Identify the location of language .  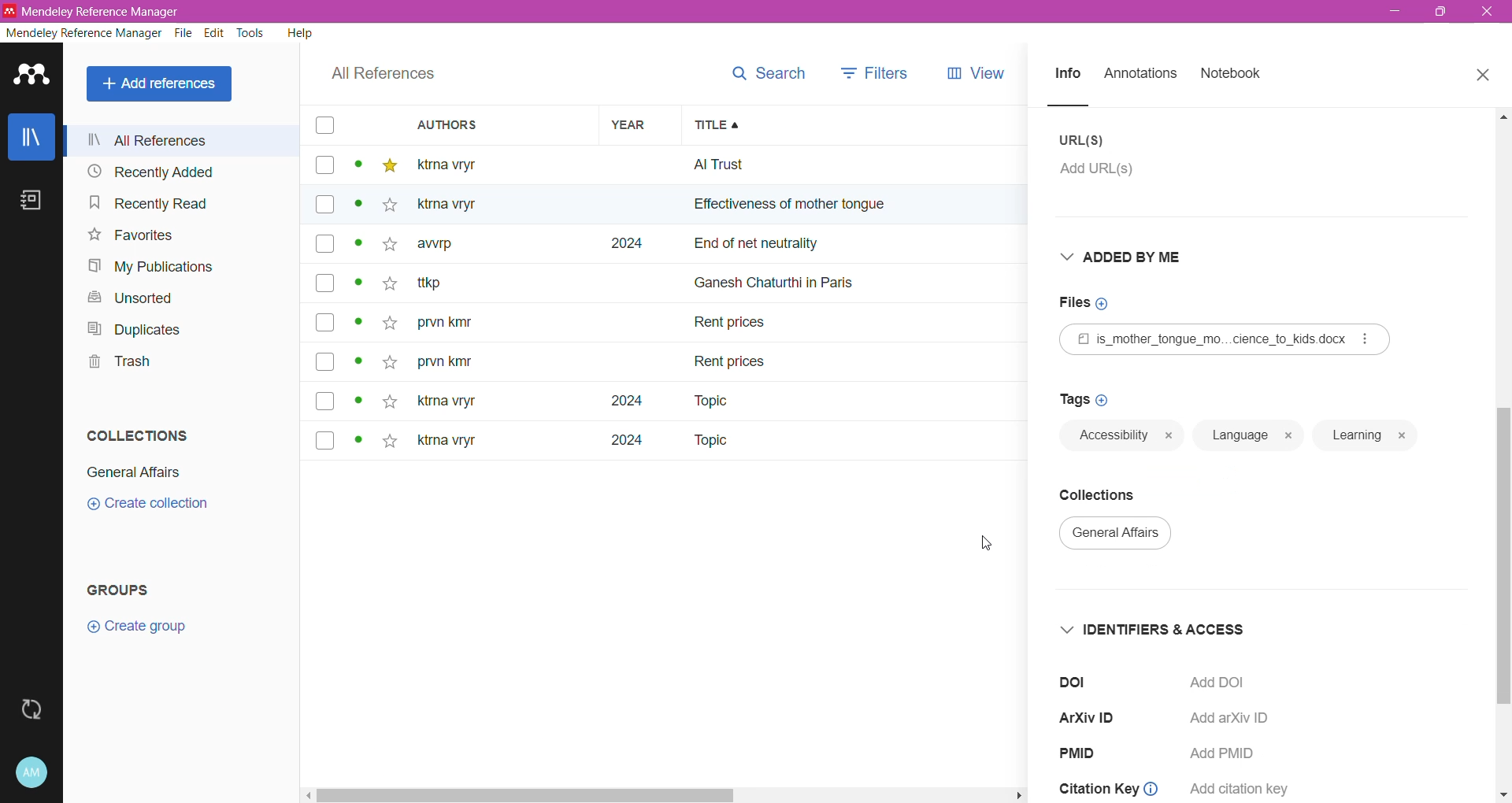
(1111, 435).